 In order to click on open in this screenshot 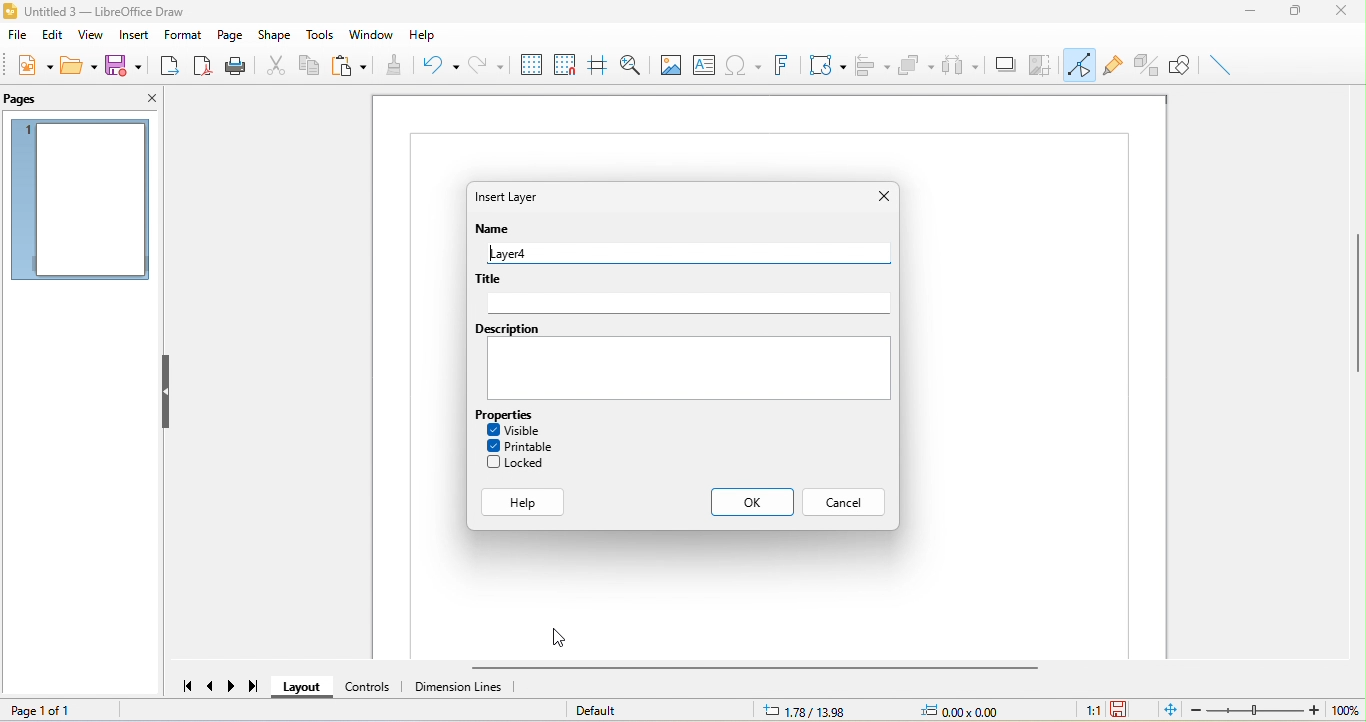, I will do `click(80, 67)`.